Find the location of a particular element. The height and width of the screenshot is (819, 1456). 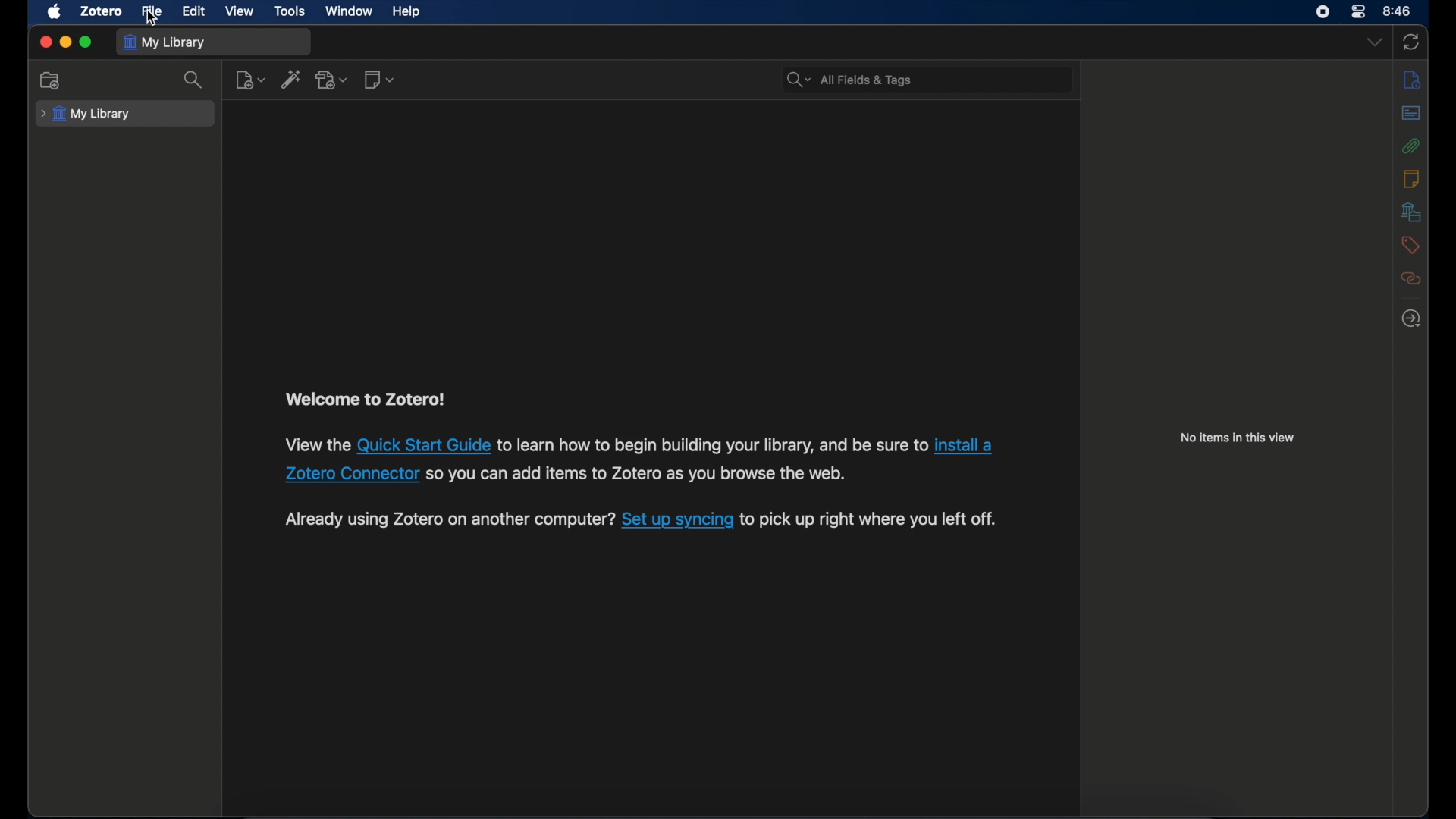

file is located at coordinates (152, 12).